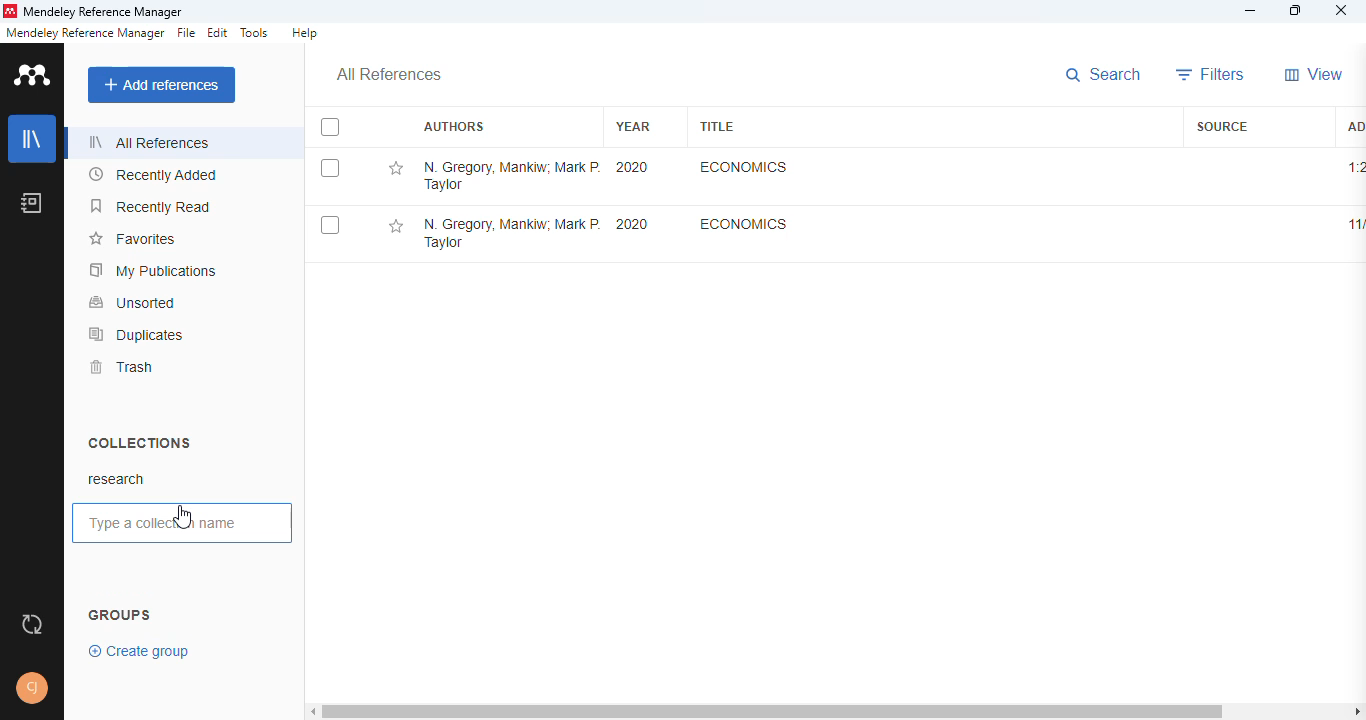  Describe the element at coordinates (395, 227) in the screenshot. I see `add this reference to favorites` at that location.